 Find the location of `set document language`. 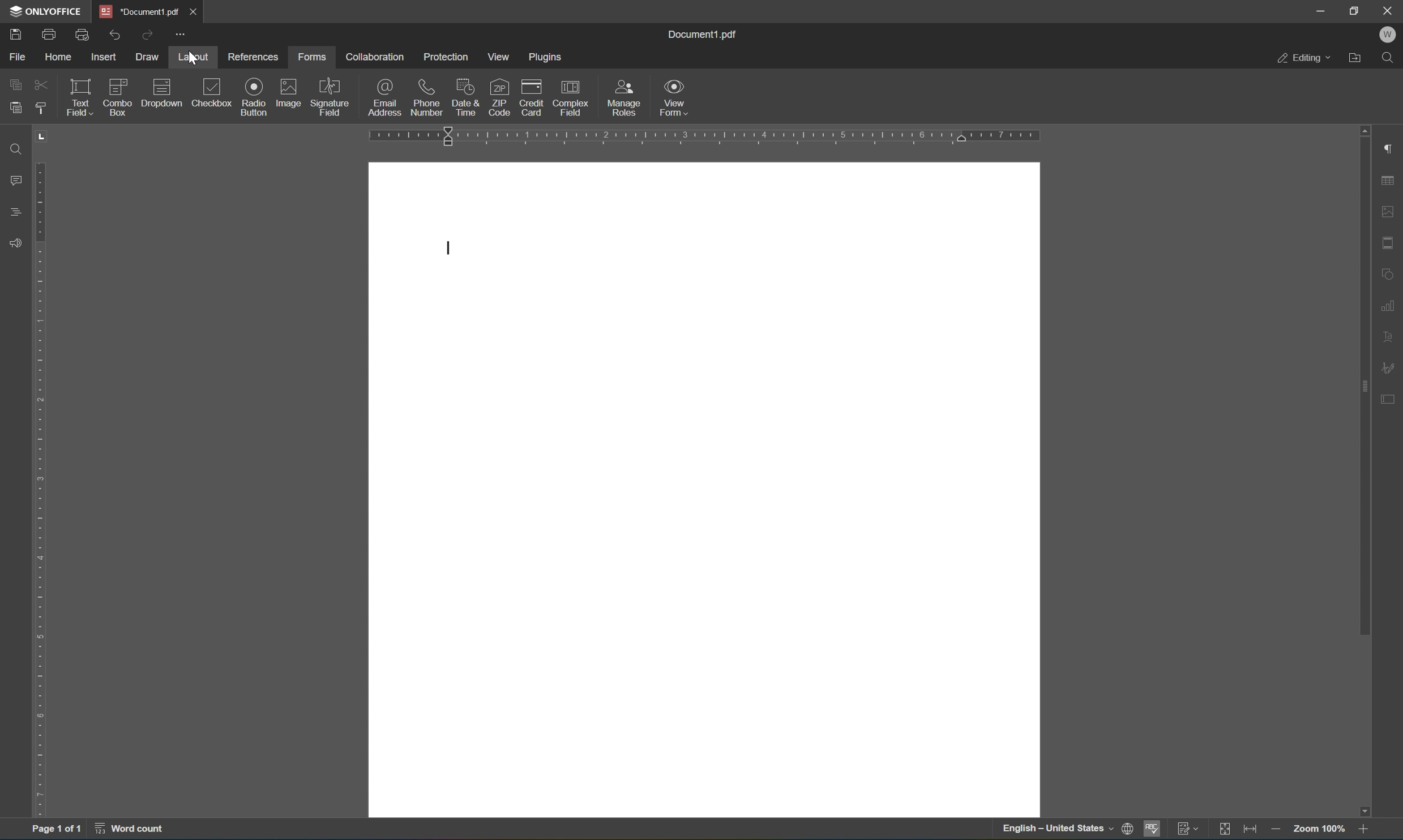

set document language is located at coordinates (1067, 830).